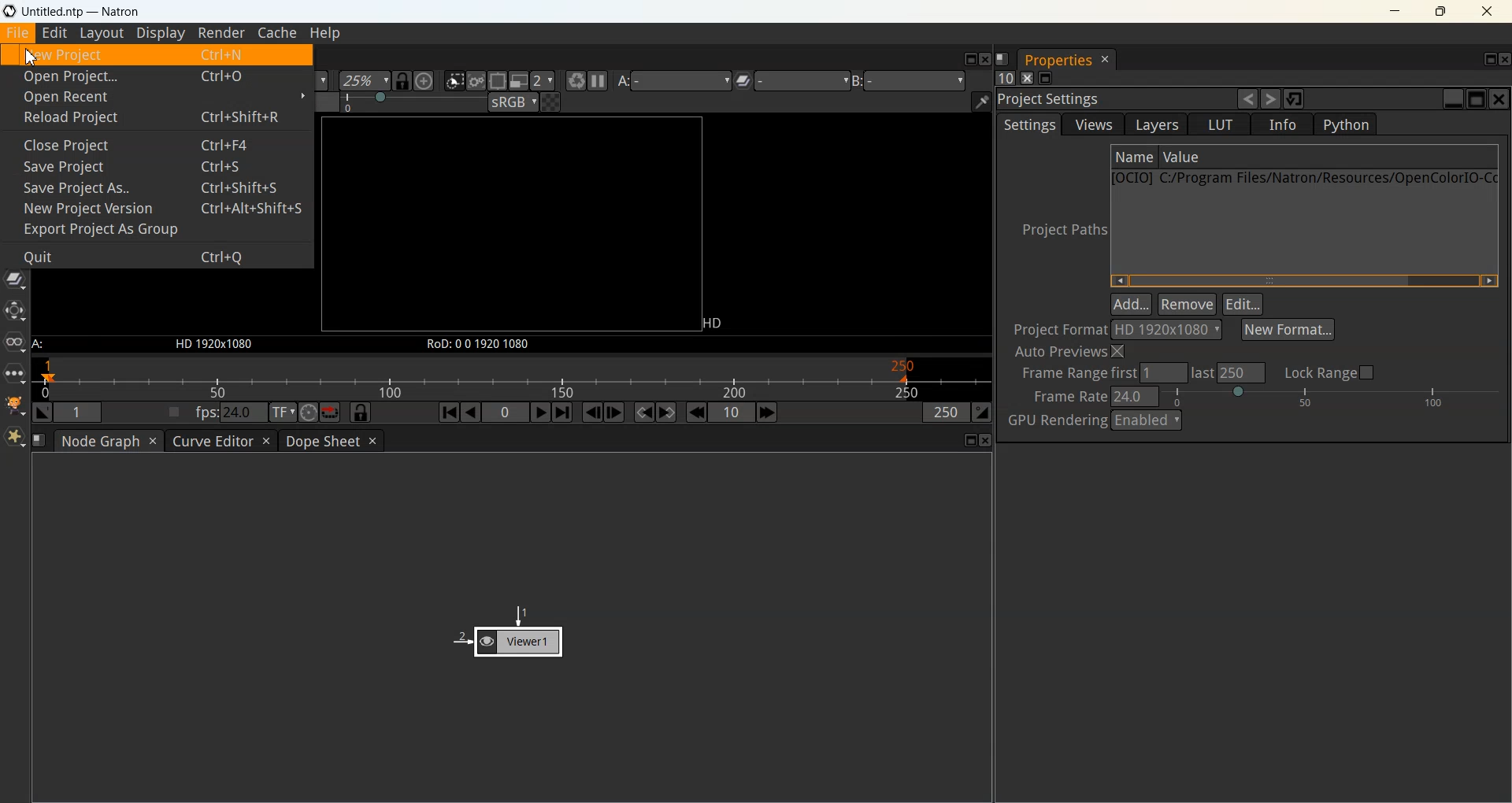  I want to click on Redo, so click(1270, 98).